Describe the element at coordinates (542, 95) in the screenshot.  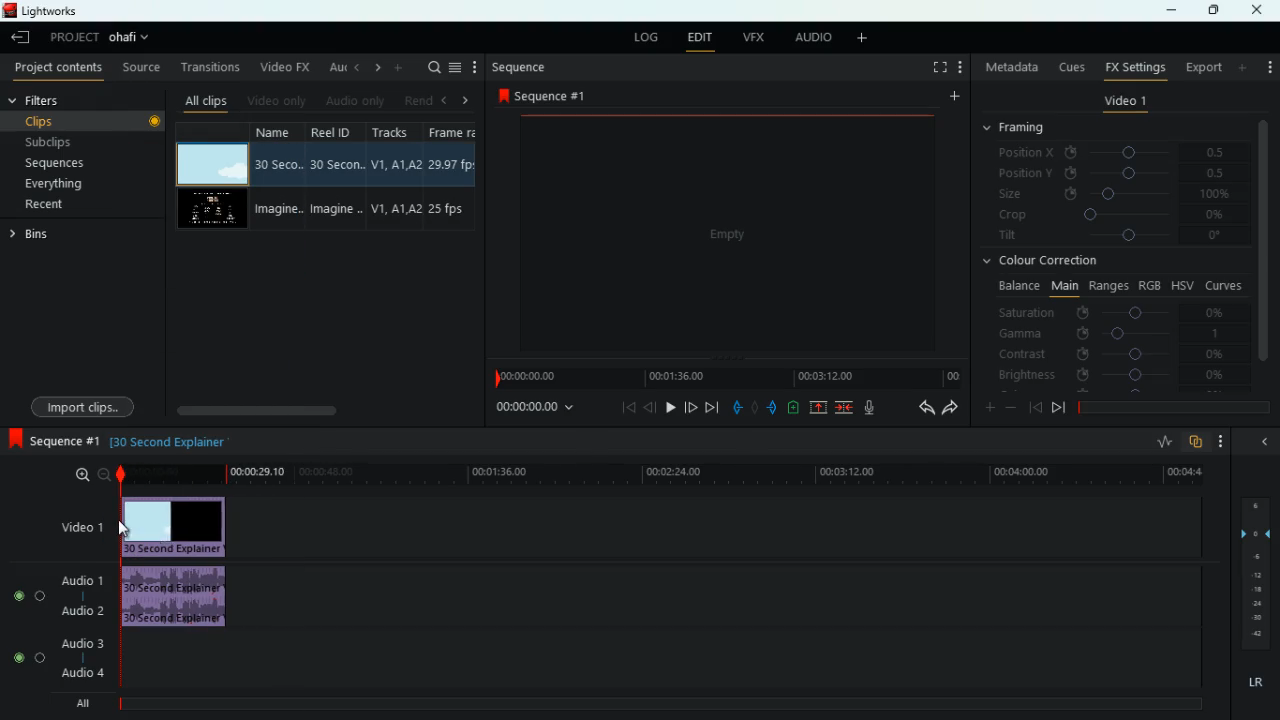
I see `sequence` at that location.